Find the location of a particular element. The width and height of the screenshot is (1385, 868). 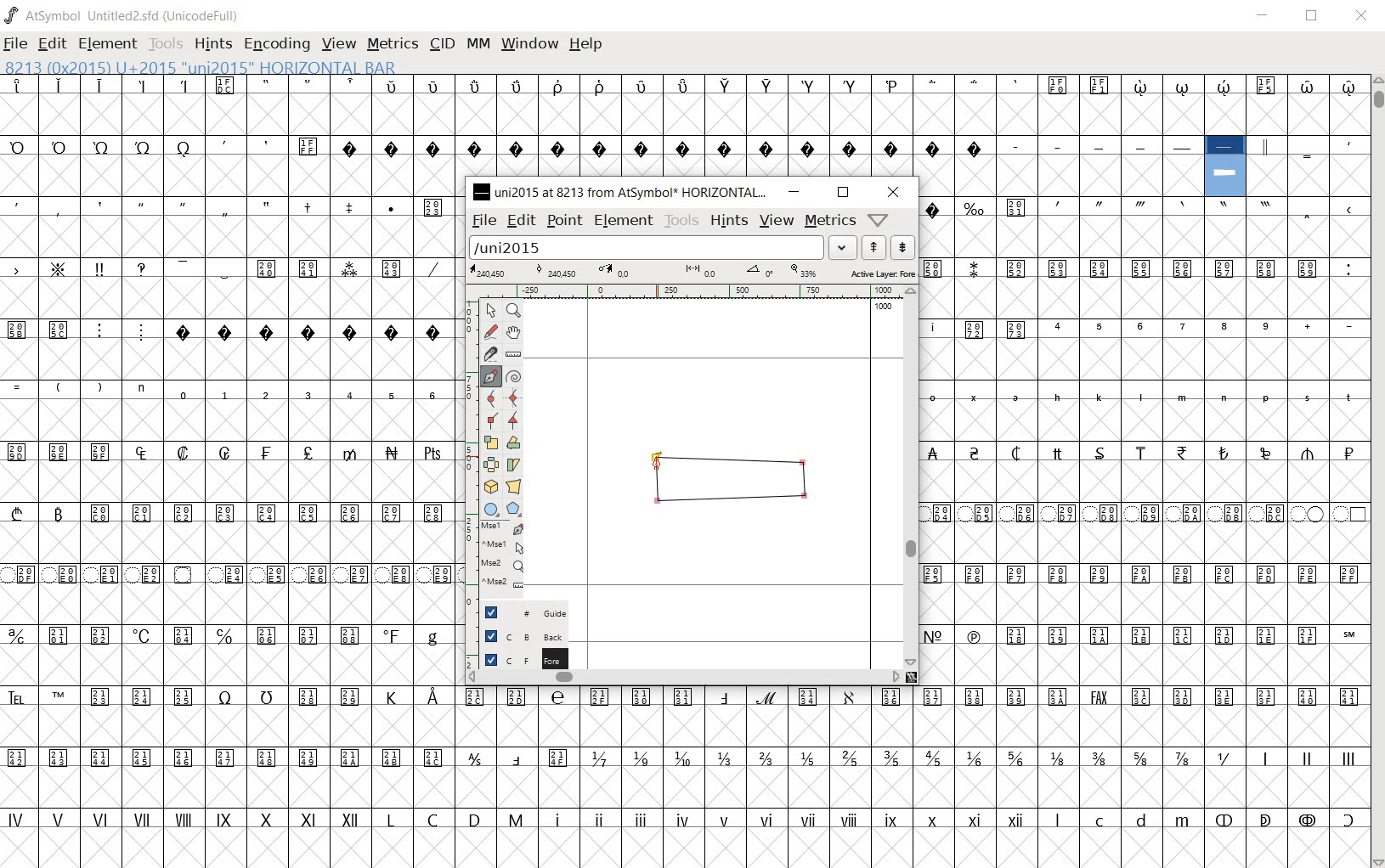

rotate the selection in 3D and project back to plane is located at coordinates (489, 486).